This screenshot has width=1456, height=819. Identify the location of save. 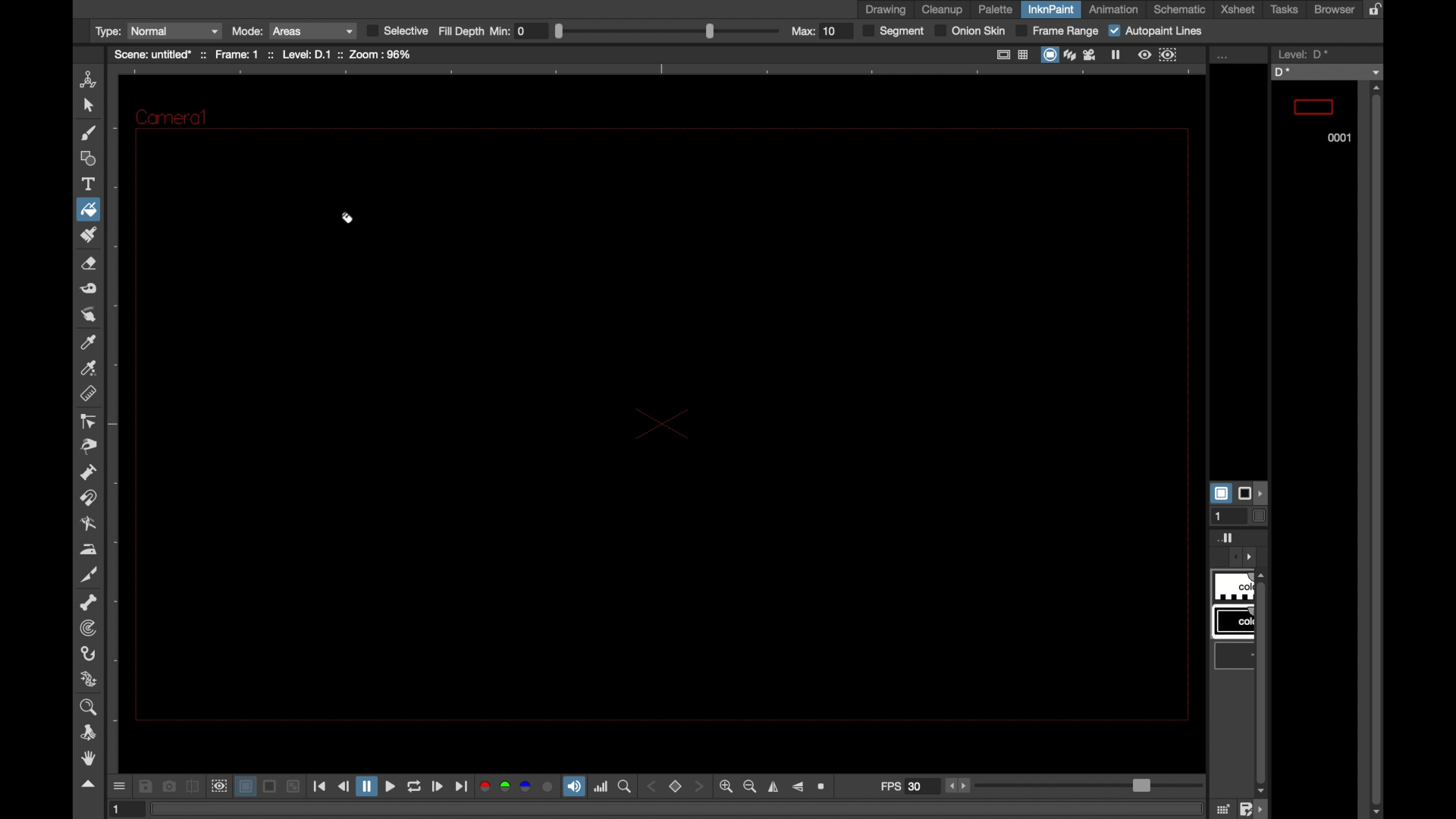
(146, 786).